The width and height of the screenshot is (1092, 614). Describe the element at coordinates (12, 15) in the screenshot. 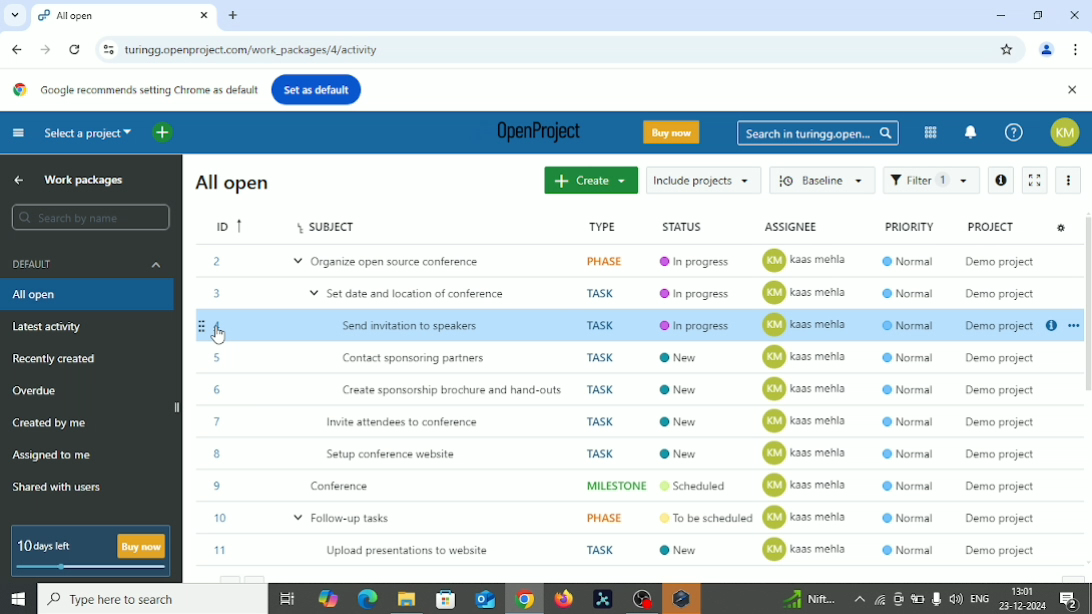

I see `Search tabs` at that location.